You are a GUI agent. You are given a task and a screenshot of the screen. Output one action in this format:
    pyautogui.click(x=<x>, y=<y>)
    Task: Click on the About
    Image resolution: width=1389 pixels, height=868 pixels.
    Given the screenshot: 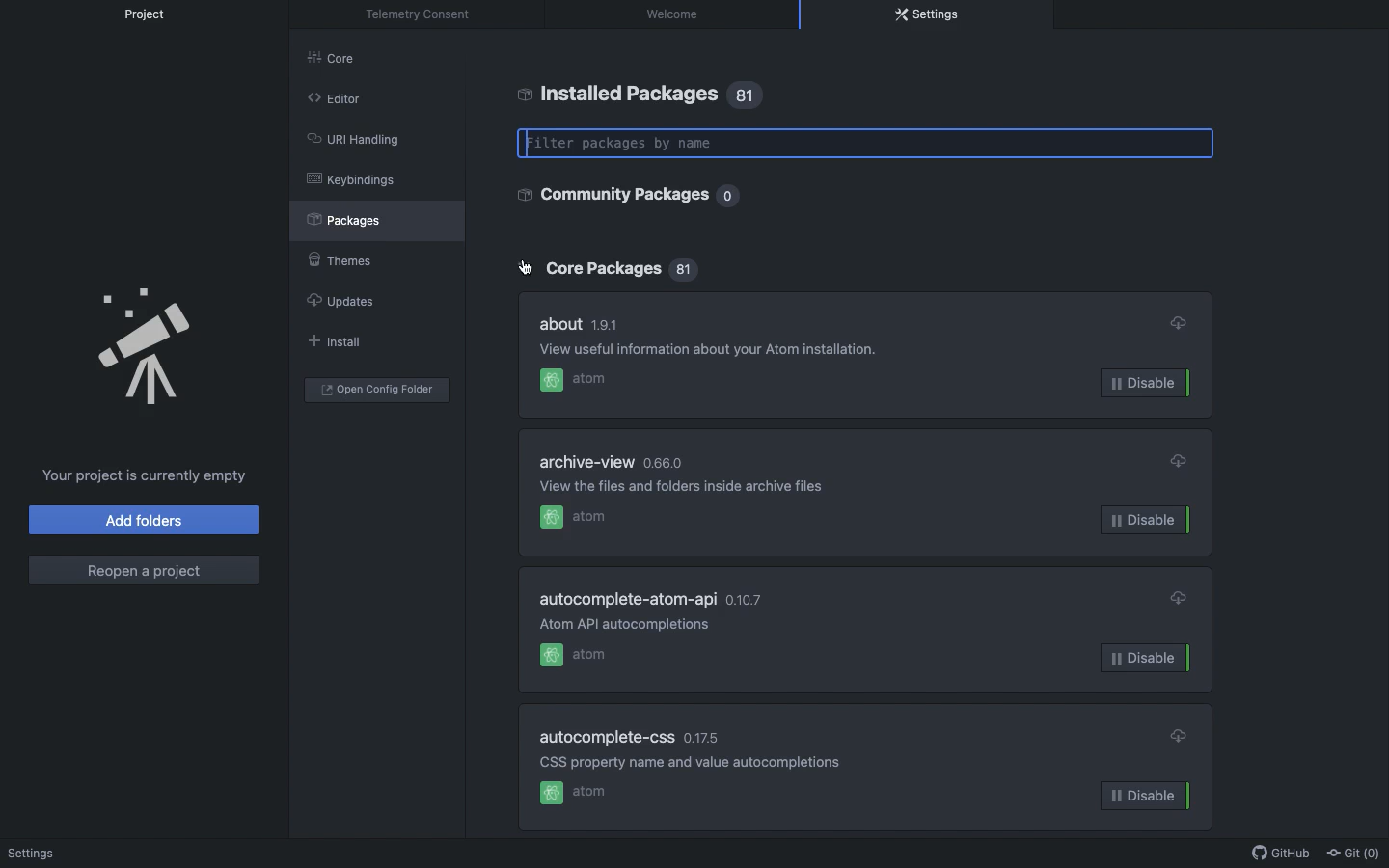 What is the action you would take?
    pyautogui.click(x=560, y=321)
    